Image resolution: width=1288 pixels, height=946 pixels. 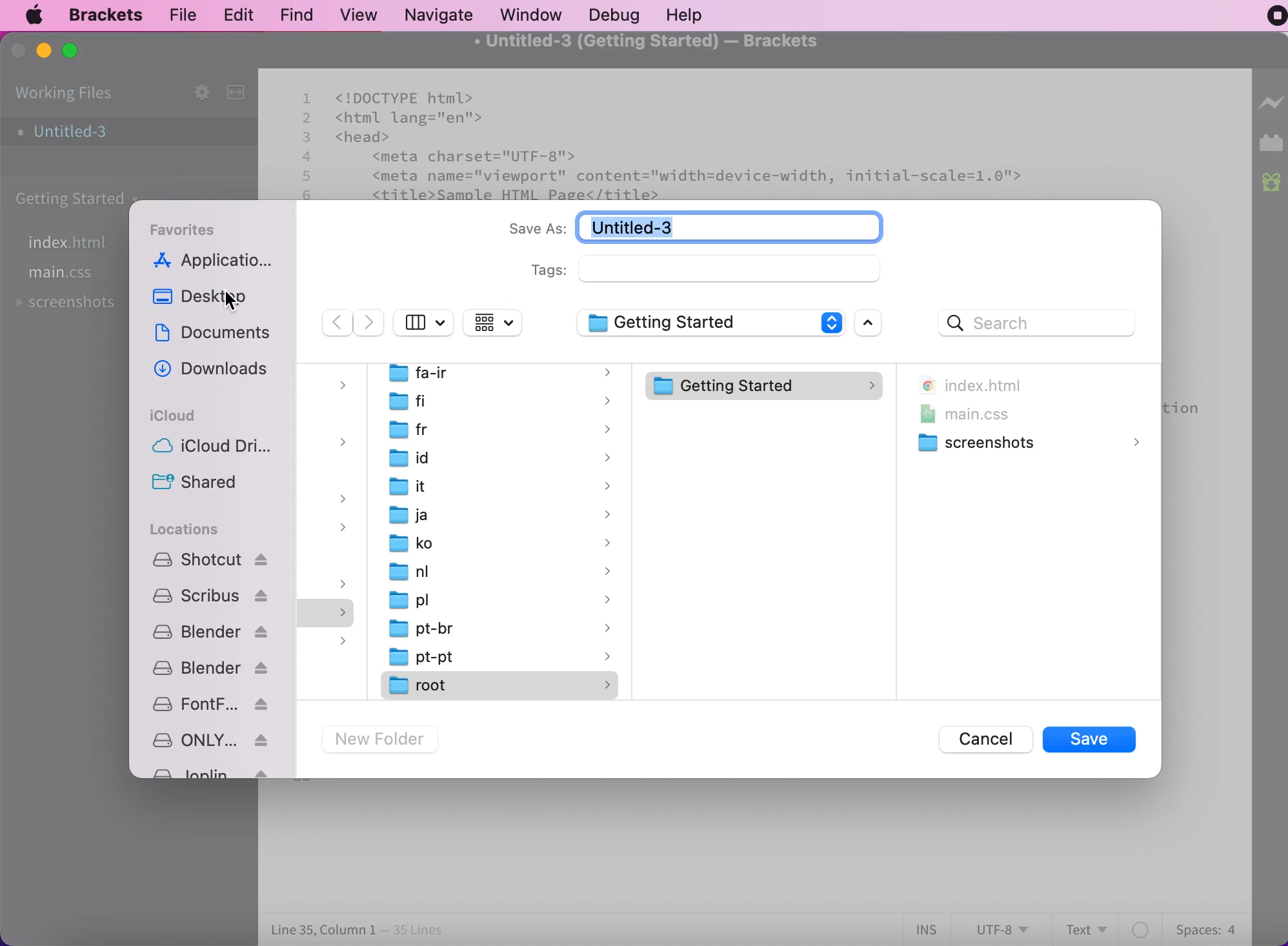 What do you see at coordinates (343, 613) in the screenshot?
I see `dropdown` at bounding box center [343, 613].